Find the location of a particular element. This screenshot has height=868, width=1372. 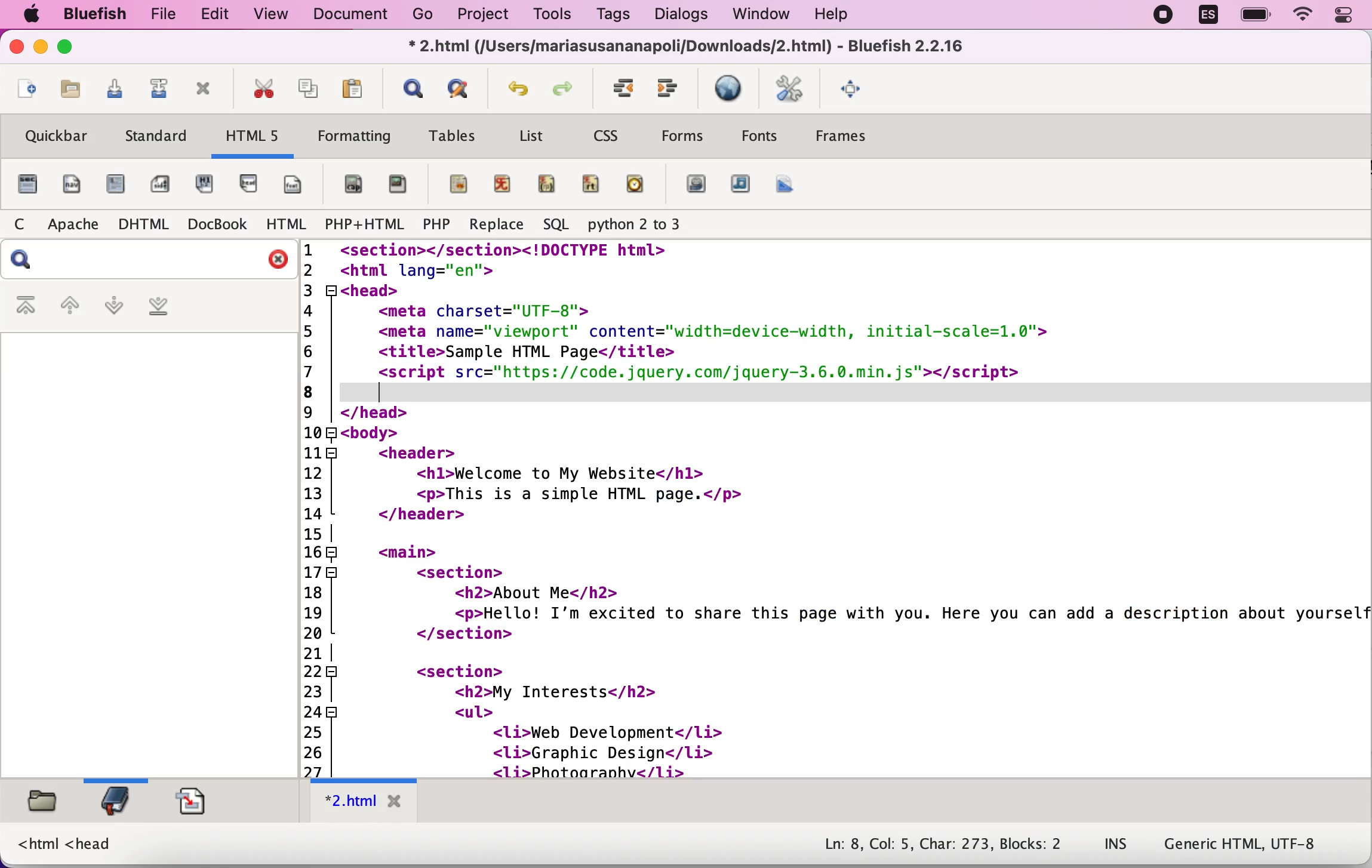

time is located at coordinates (638, 183).